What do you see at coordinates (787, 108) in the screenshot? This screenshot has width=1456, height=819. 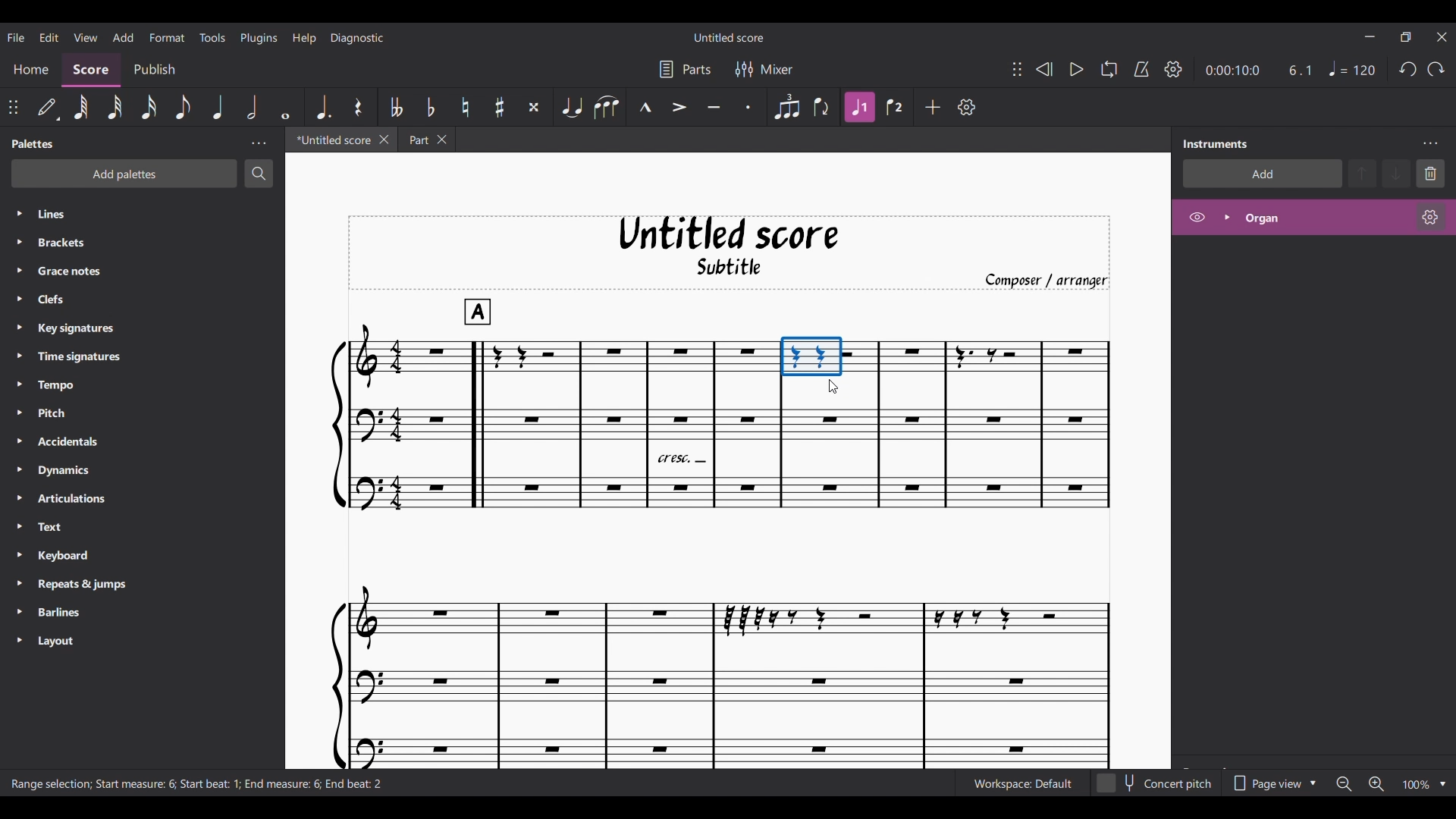 I see `Tuplet` at bounding box center [787, 108].